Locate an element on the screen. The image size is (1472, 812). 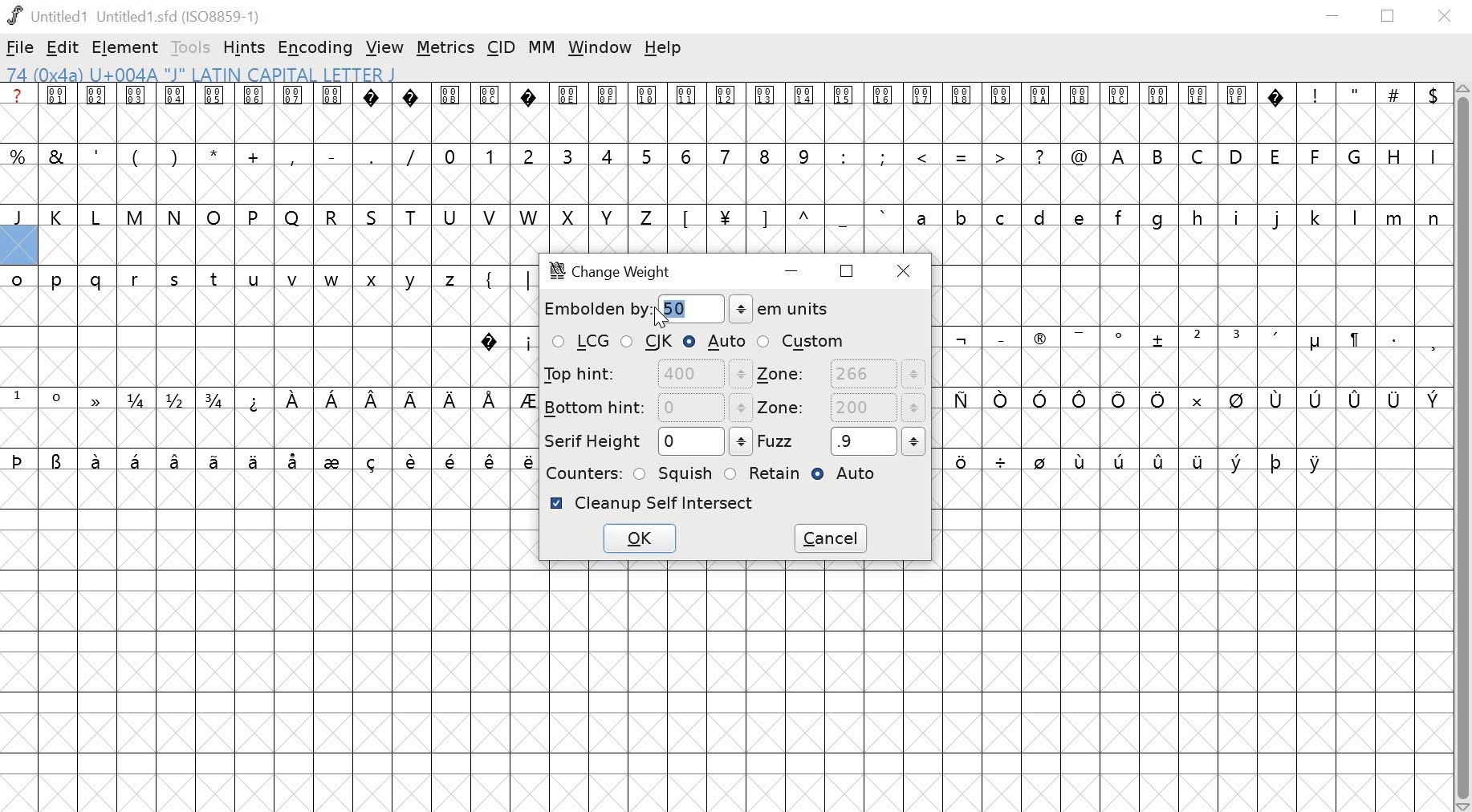
minimize is located at coordinates (795, 273).